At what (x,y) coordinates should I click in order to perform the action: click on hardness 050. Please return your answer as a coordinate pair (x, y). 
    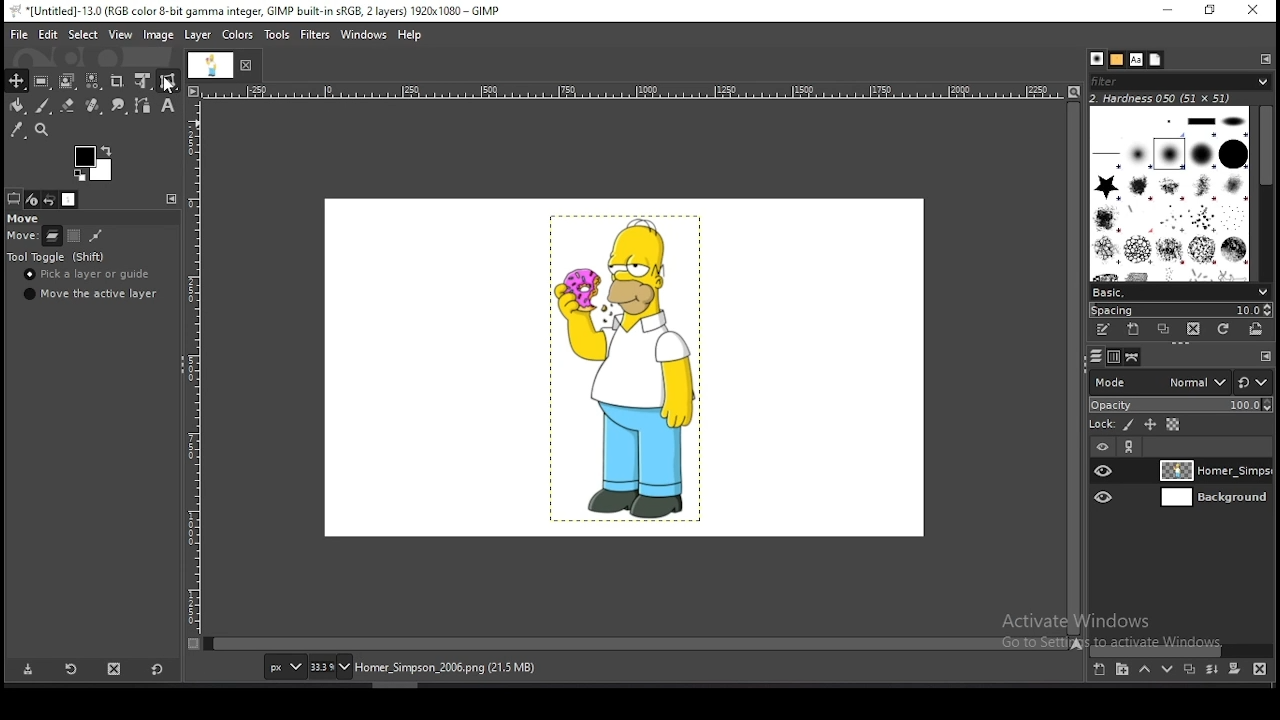
    Looking at the image, I should click on (1172, 98).